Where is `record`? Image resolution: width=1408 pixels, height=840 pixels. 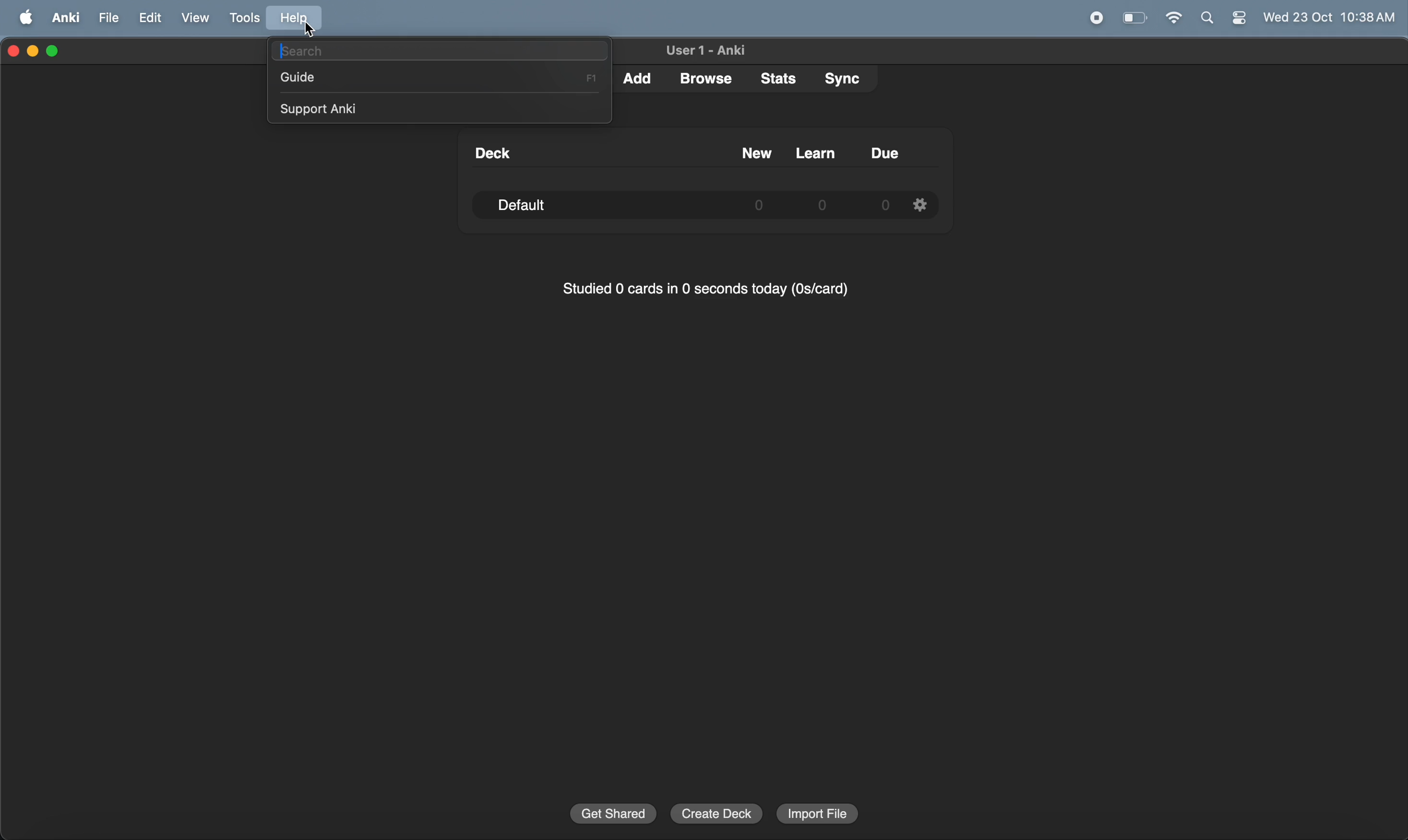 record is located at coordinates (1098, 18).